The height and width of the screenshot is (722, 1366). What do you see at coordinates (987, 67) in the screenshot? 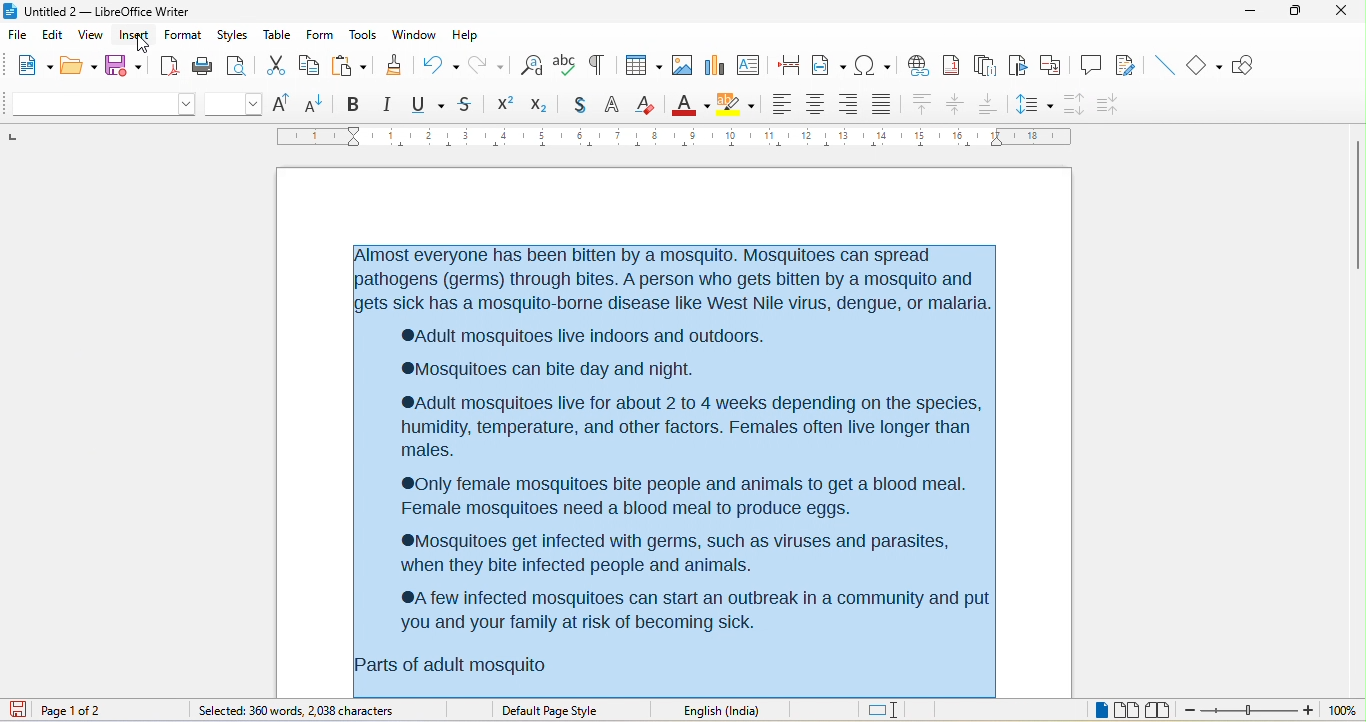
I see `endnote` at bounding box center [987, 67].